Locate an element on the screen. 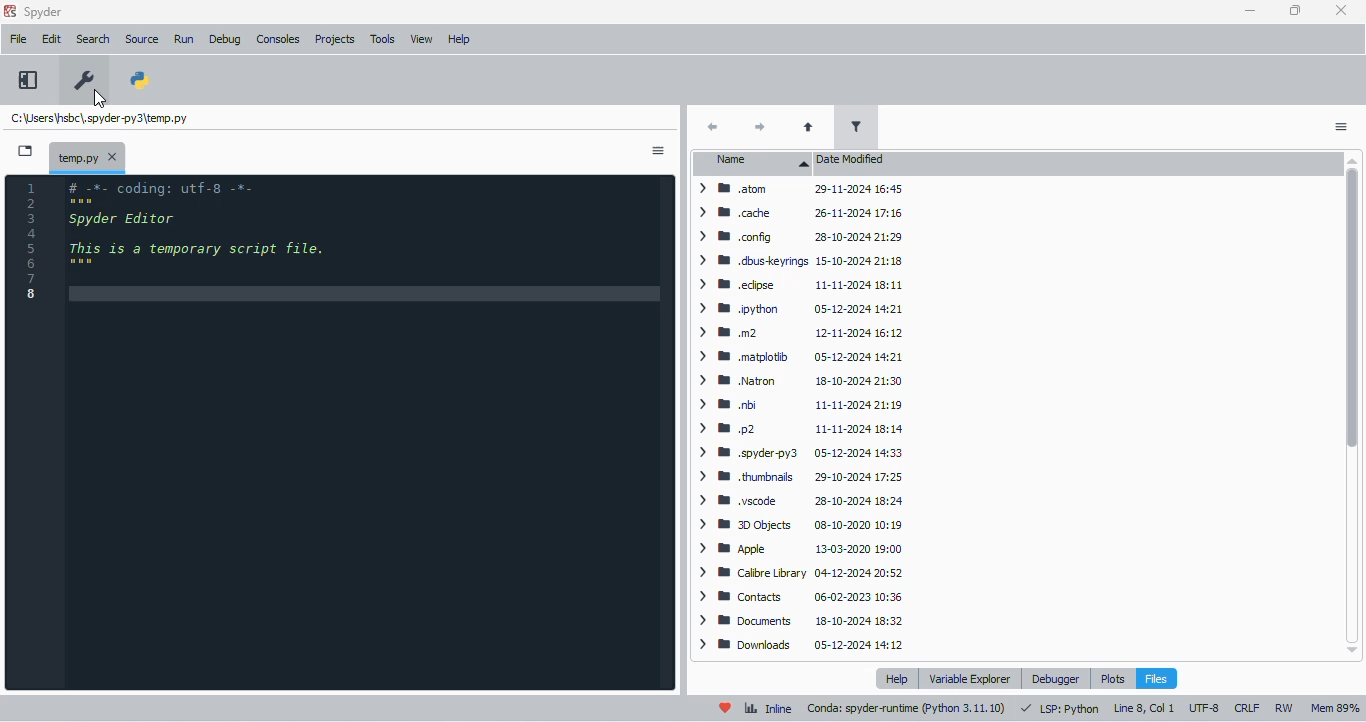 The height and width of the screenshot is (722, 1366). spyder is located at coordinates (44, 12).